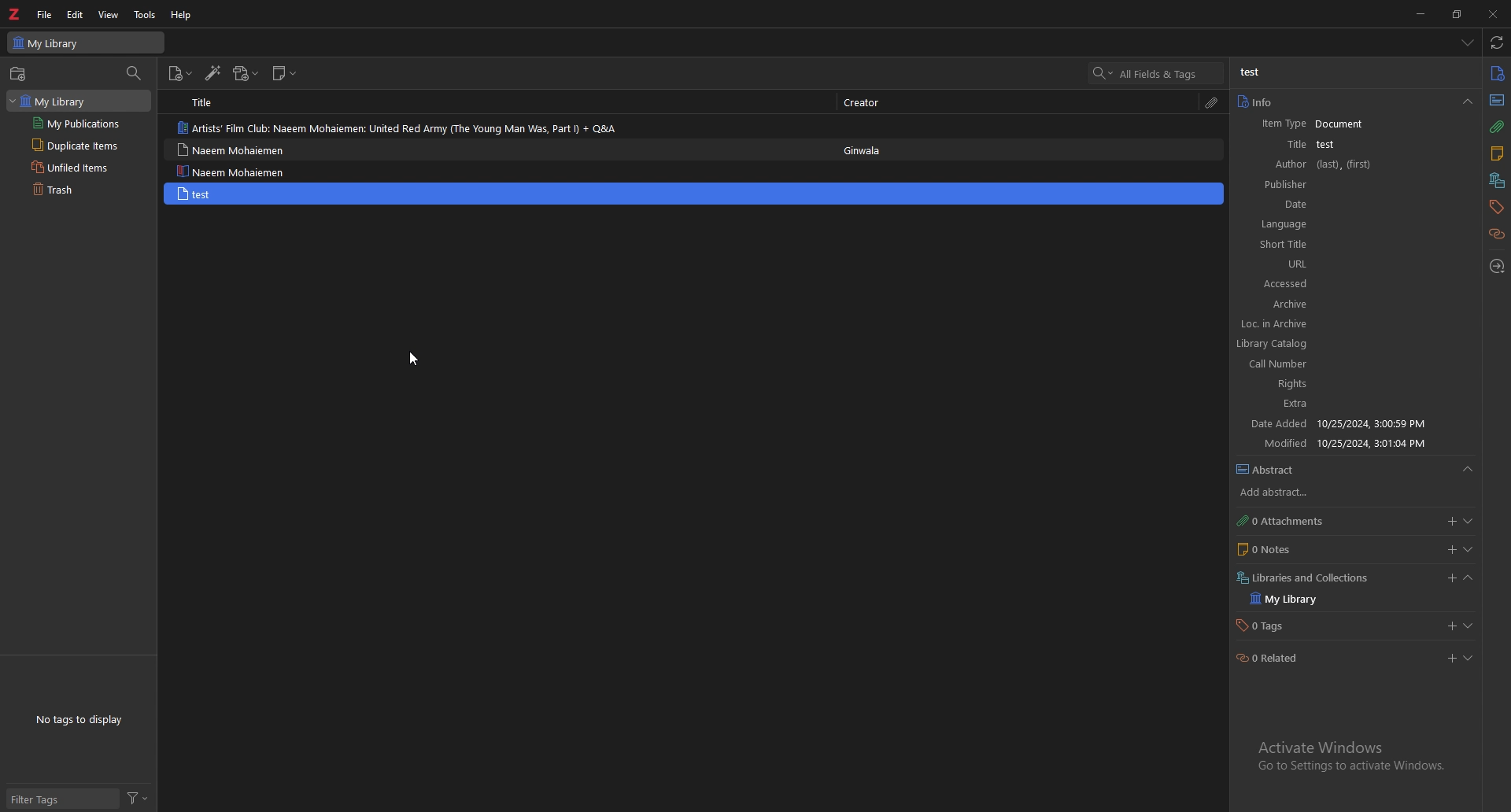 The width and height of the screenshot is (1511, 812). What do you see at coordinates (1498, 72) in the screenshot?
I see `info` at bounding box center [1498, 72].